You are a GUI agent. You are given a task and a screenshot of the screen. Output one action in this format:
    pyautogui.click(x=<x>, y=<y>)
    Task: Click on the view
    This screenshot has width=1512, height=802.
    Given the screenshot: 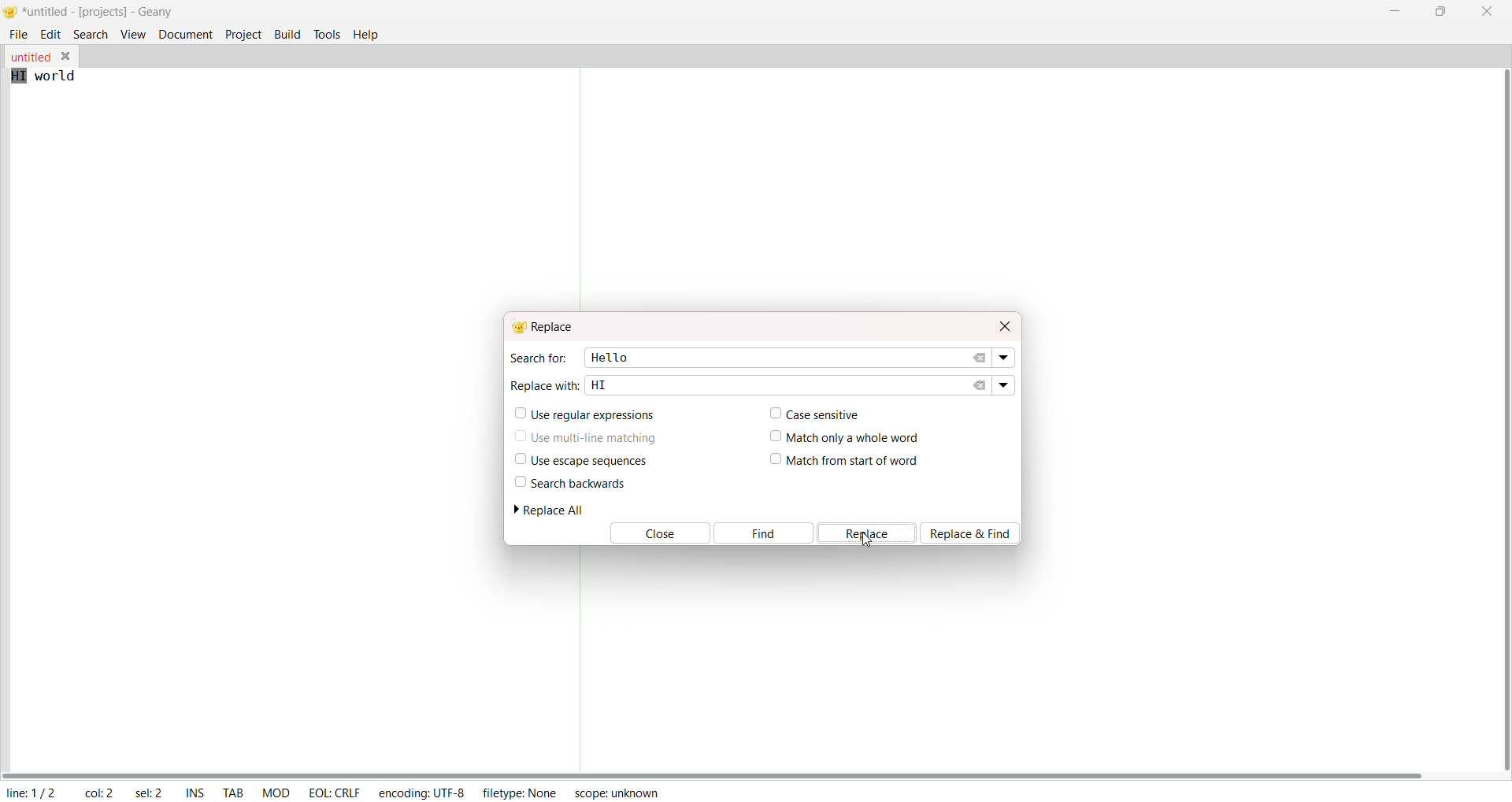 What is the action you would take?
    pyautogui.click(x=132, y=34)
    